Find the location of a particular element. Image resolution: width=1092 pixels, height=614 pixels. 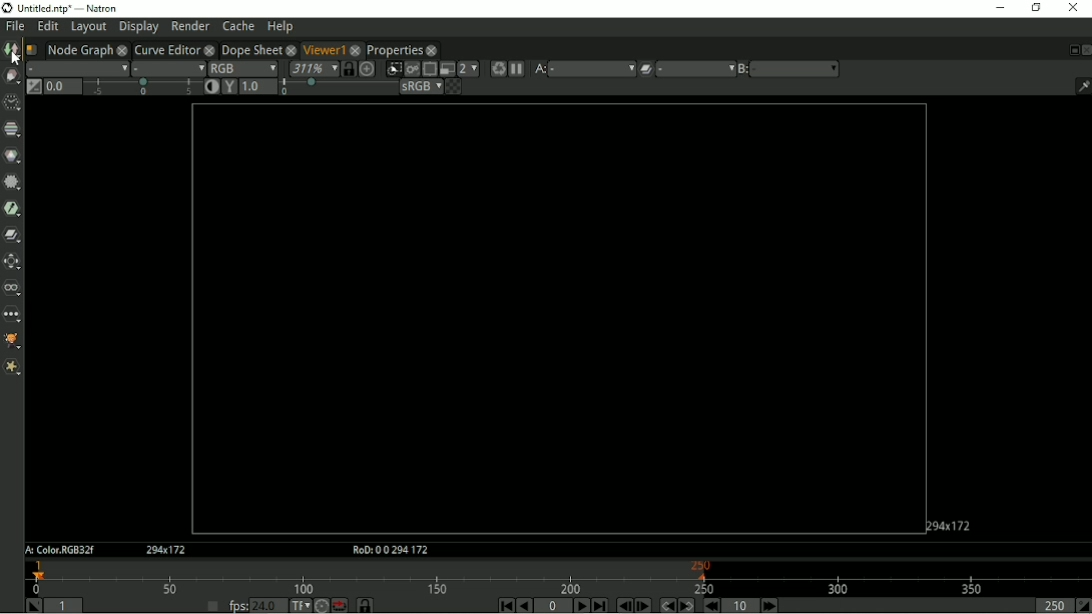

Float pane is located at coordinates (1071, 50).